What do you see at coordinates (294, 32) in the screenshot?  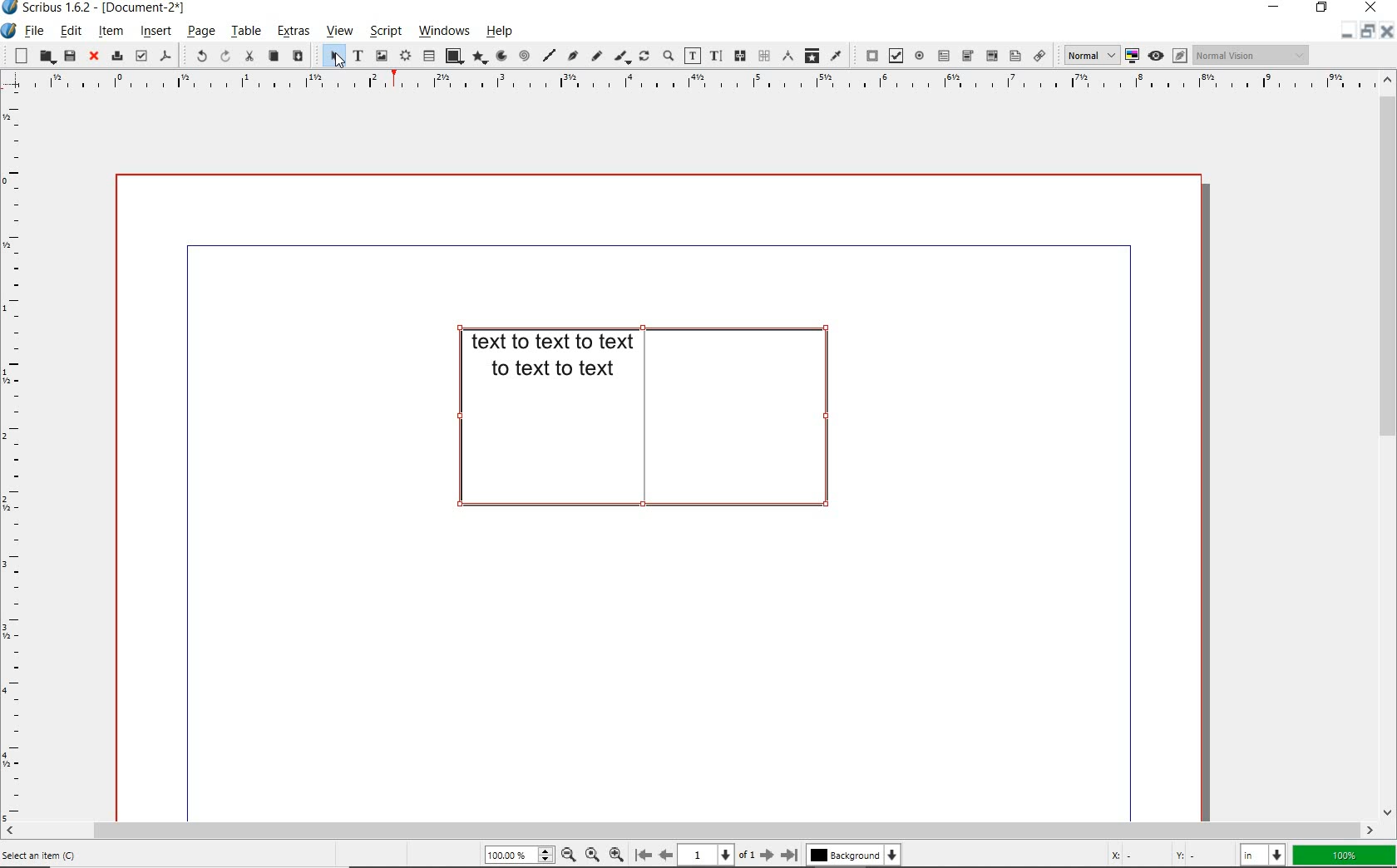 I see `extras` at bounding box center [294, 32].